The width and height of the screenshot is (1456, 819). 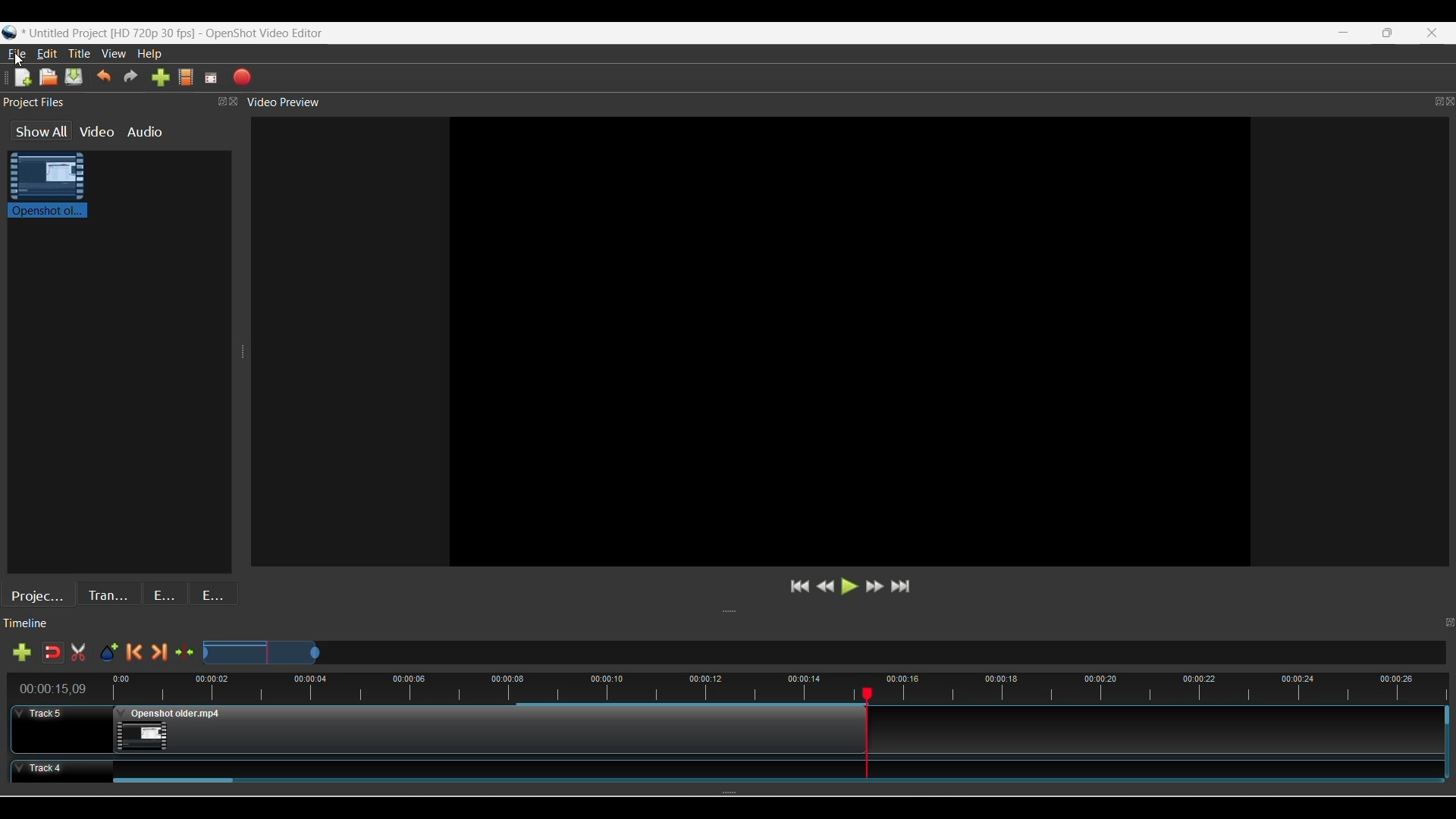 I want to click on Close interface, so click(x=1432, y=35).